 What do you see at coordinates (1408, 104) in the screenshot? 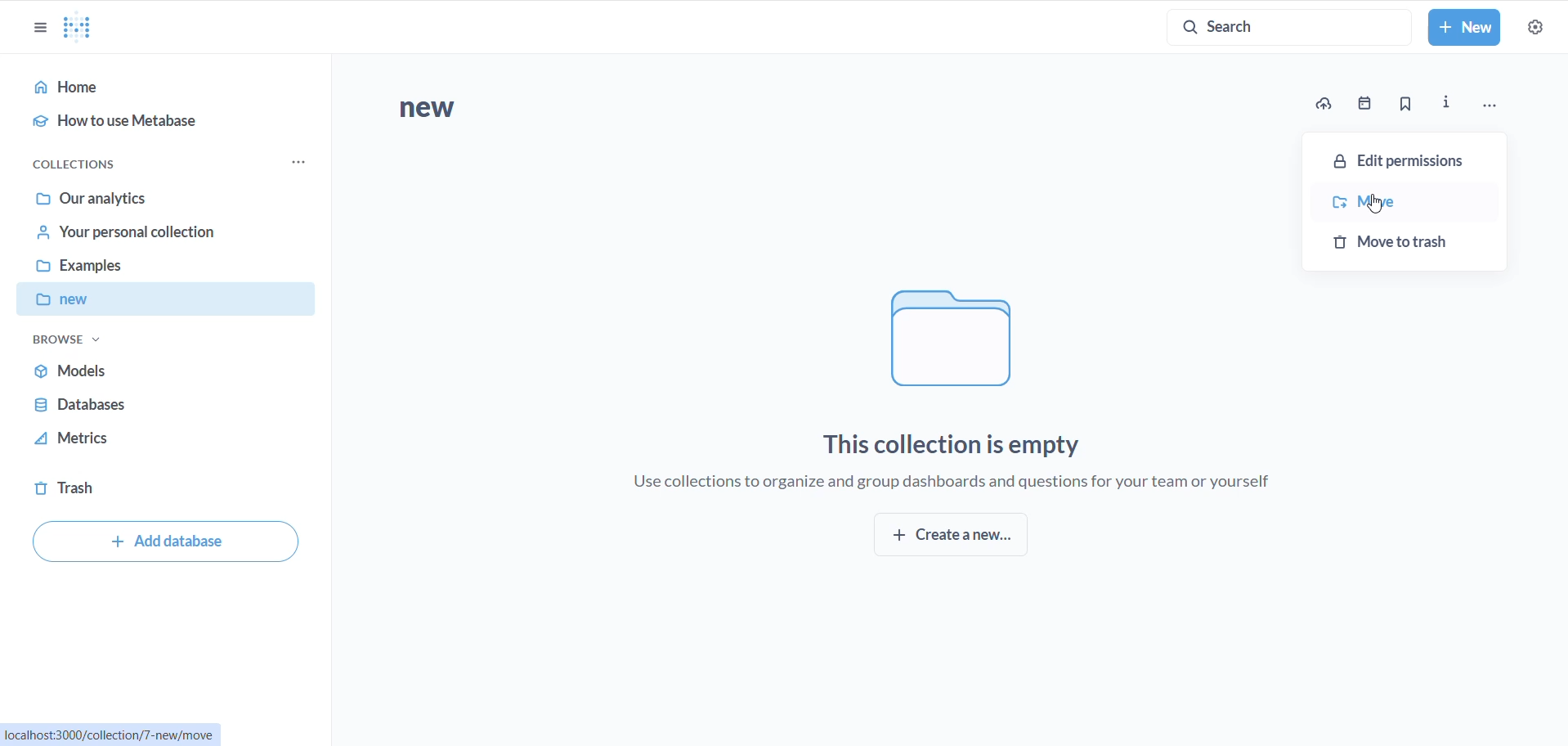
I see `bookmark` at bounding box center [1408, 104].